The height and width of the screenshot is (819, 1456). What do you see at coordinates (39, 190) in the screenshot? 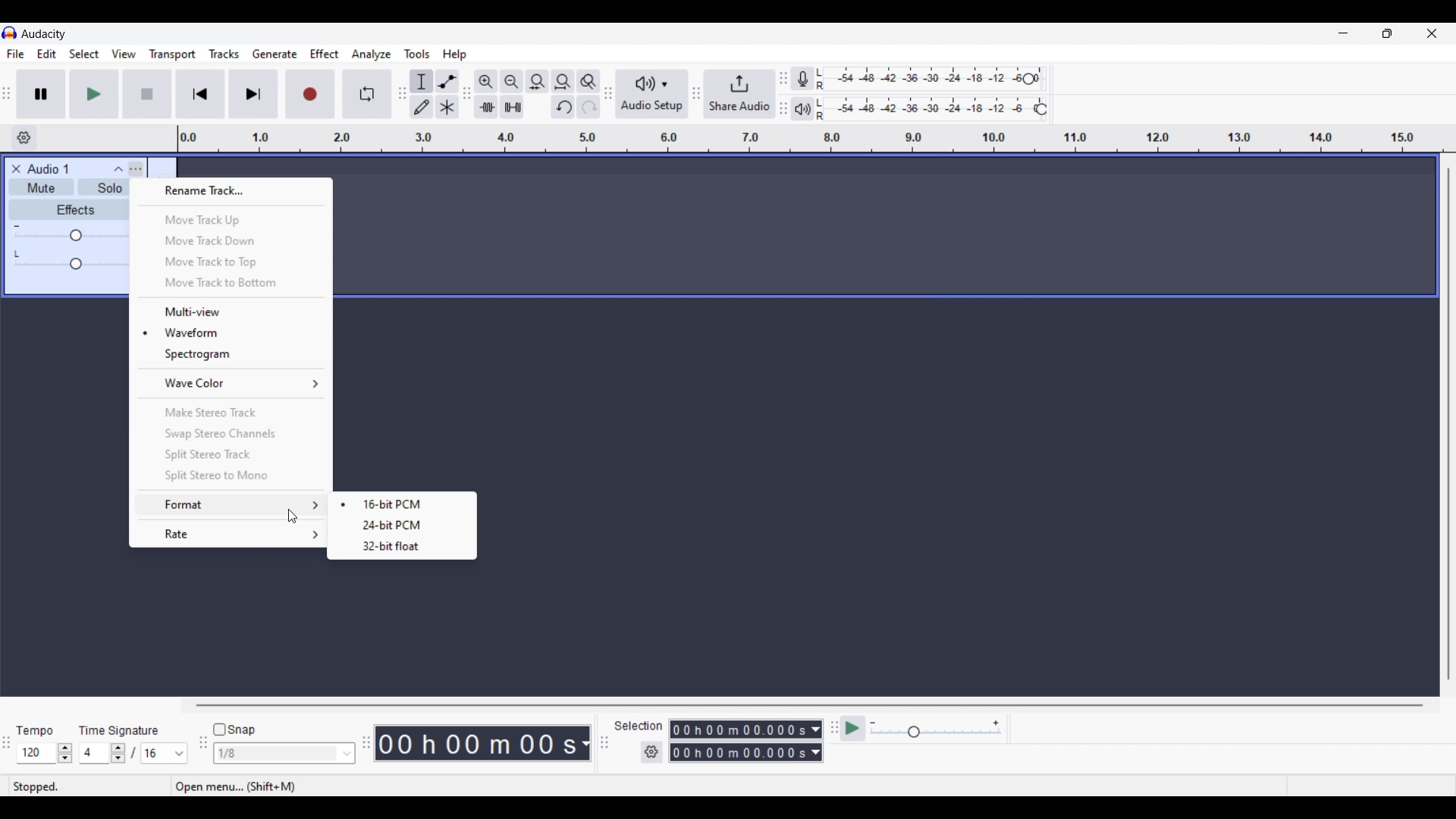
I see `Mute` at bounding box center [39, 190].